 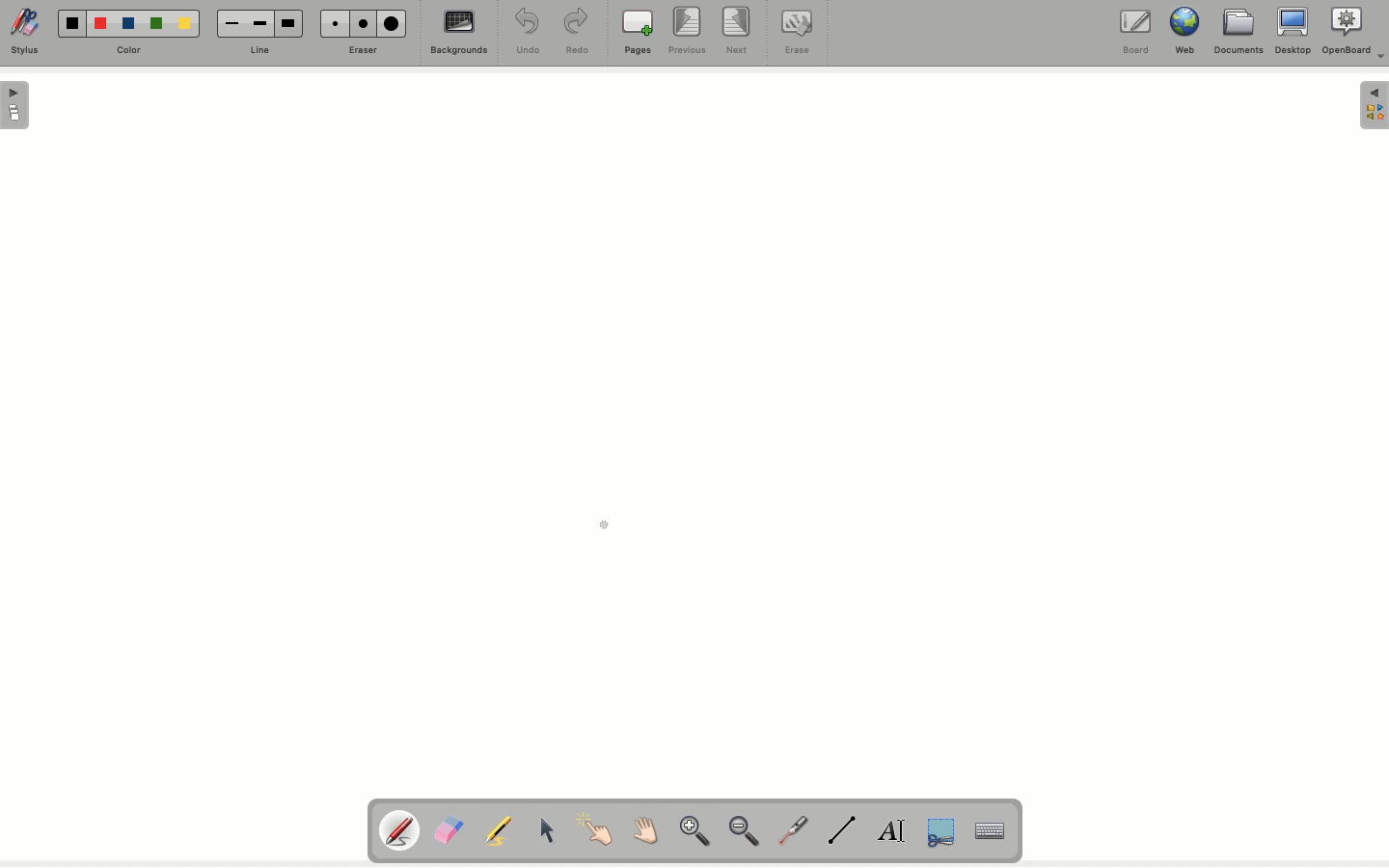 I want to click on Small, so click(x=336, y=23).